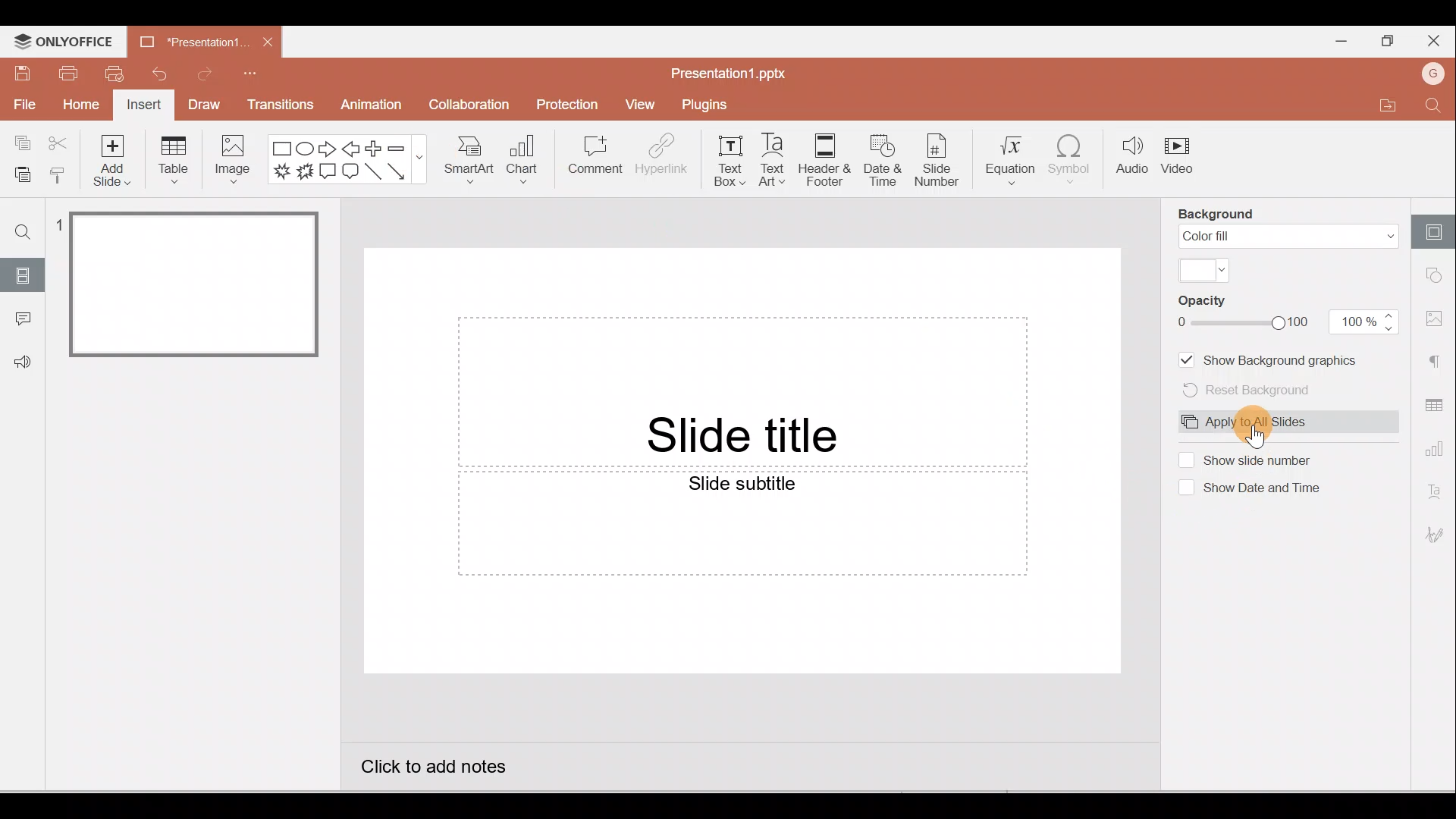 The image size is (1456, 819). What do you see at coordinates (421, 157) in the screenshot?
I see `show more` at bounding box center [421, 157].